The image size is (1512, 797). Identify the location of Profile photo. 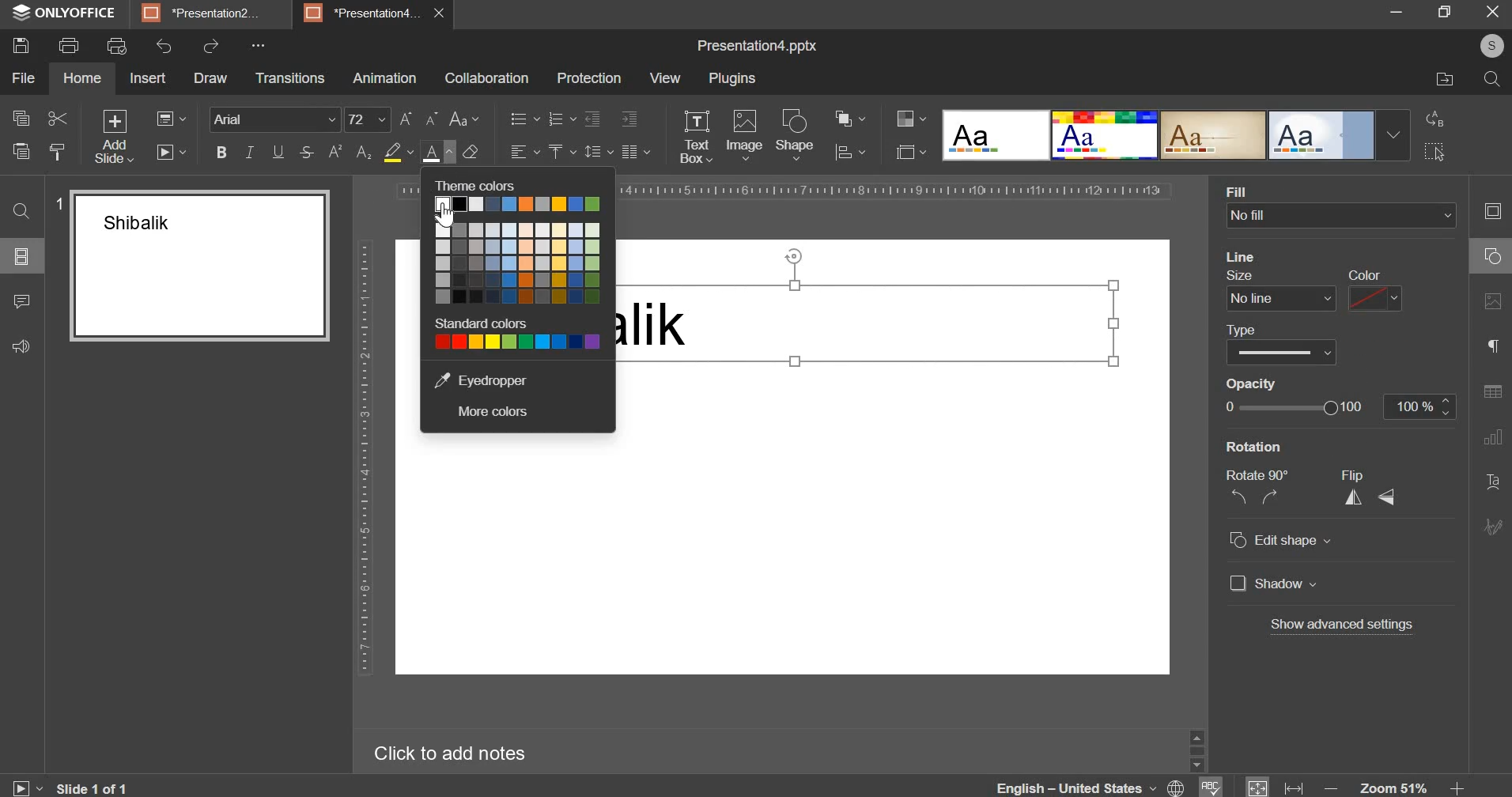
(1486, 46).